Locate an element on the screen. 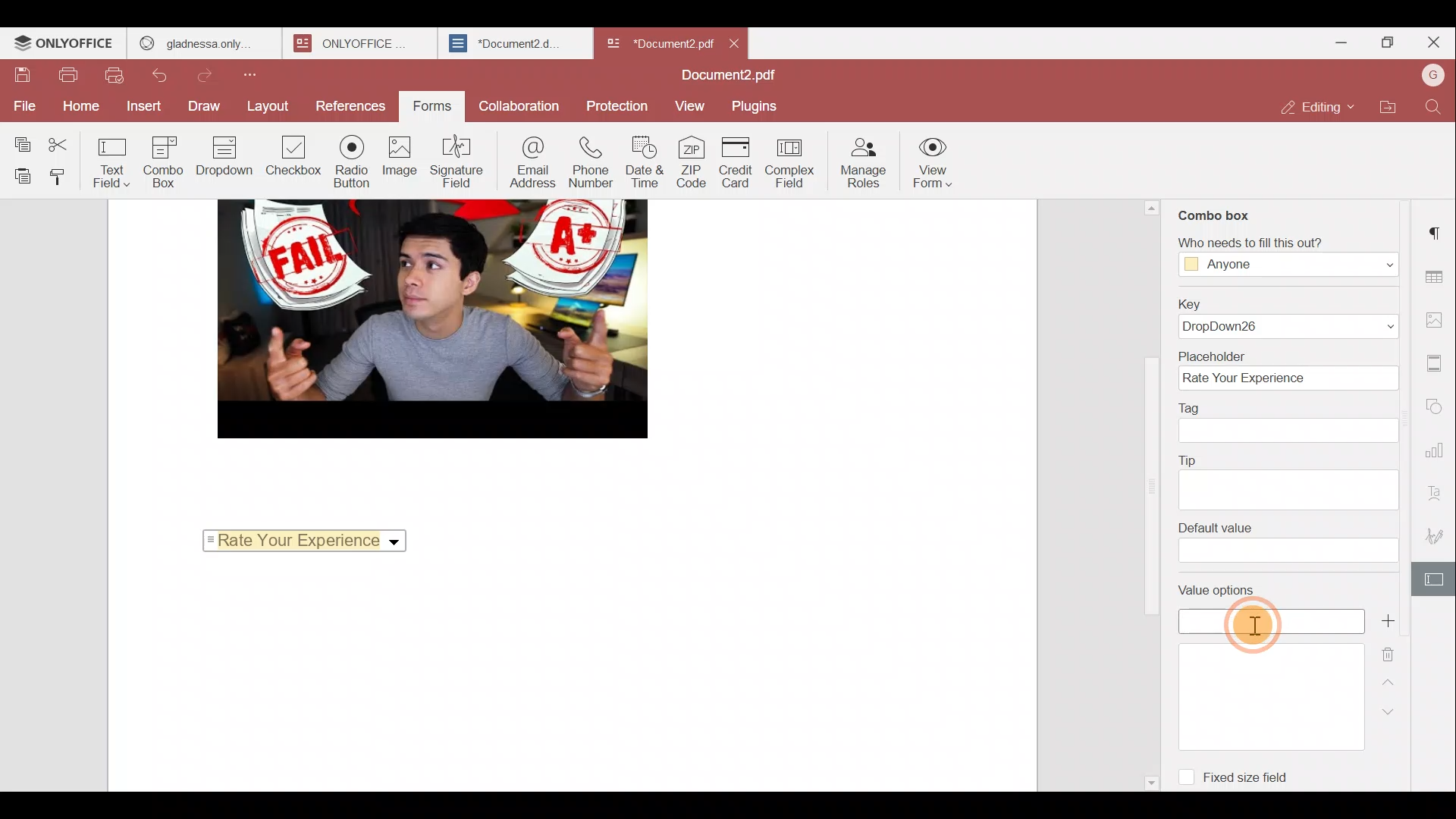  Combo box is located at coordinates (169, 162).